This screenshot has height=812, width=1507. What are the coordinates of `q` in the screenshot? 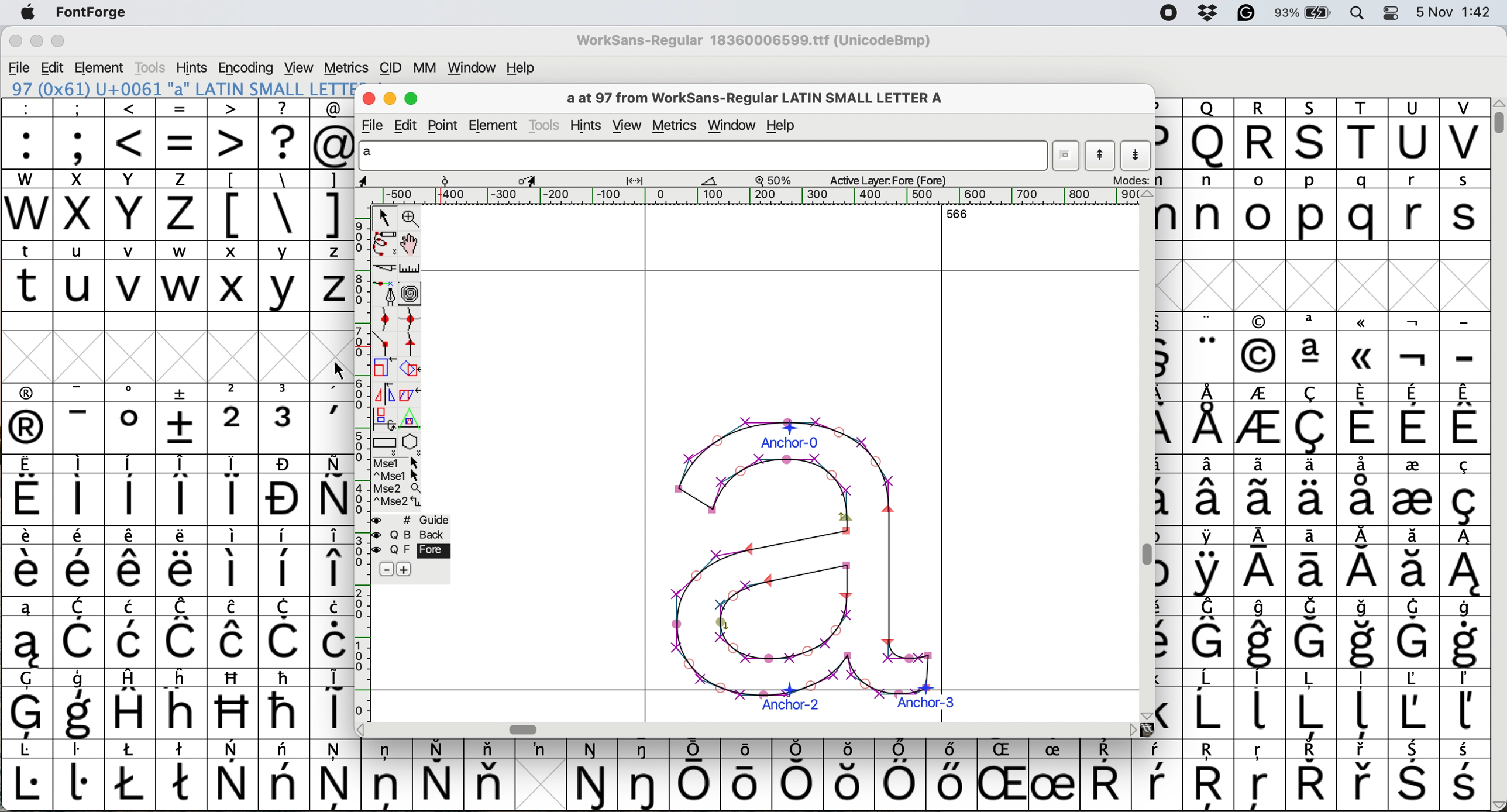 It's located at (1365, 206).